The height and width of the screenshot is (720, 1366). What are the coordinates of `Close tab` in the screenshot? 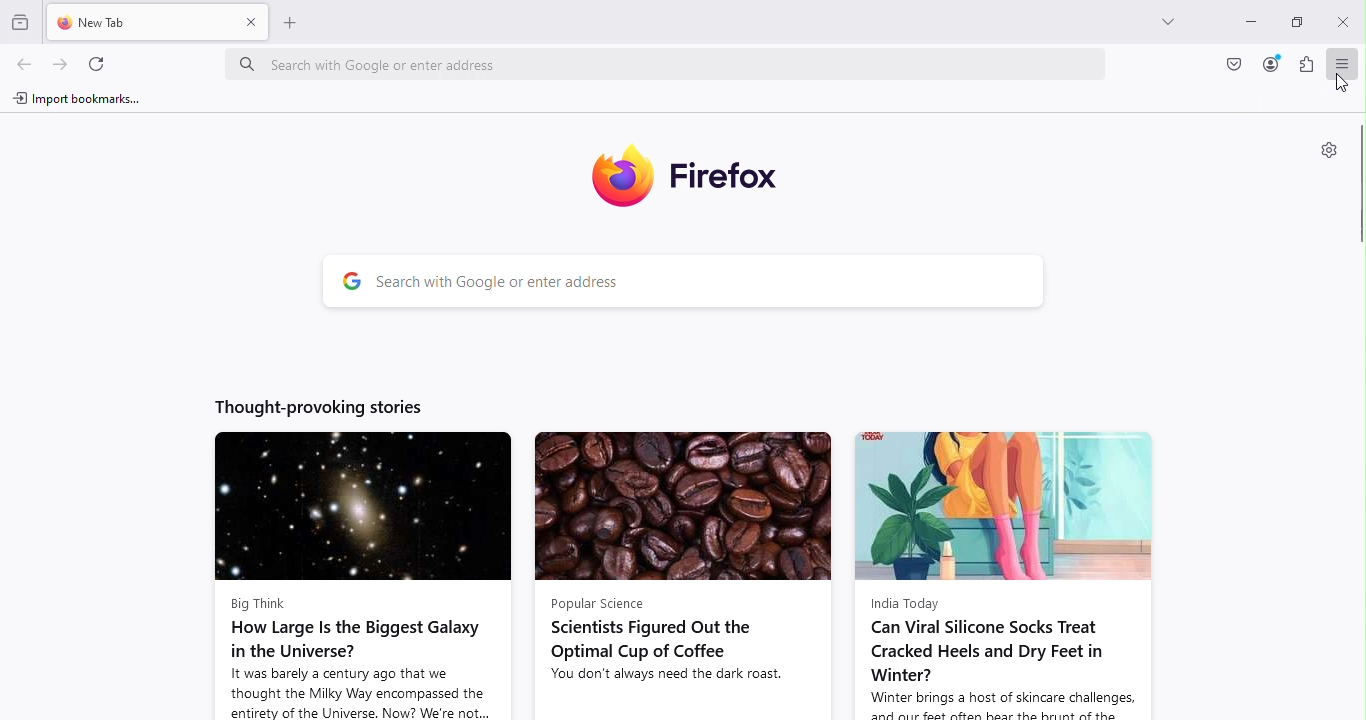 It's located at (1346, 18).